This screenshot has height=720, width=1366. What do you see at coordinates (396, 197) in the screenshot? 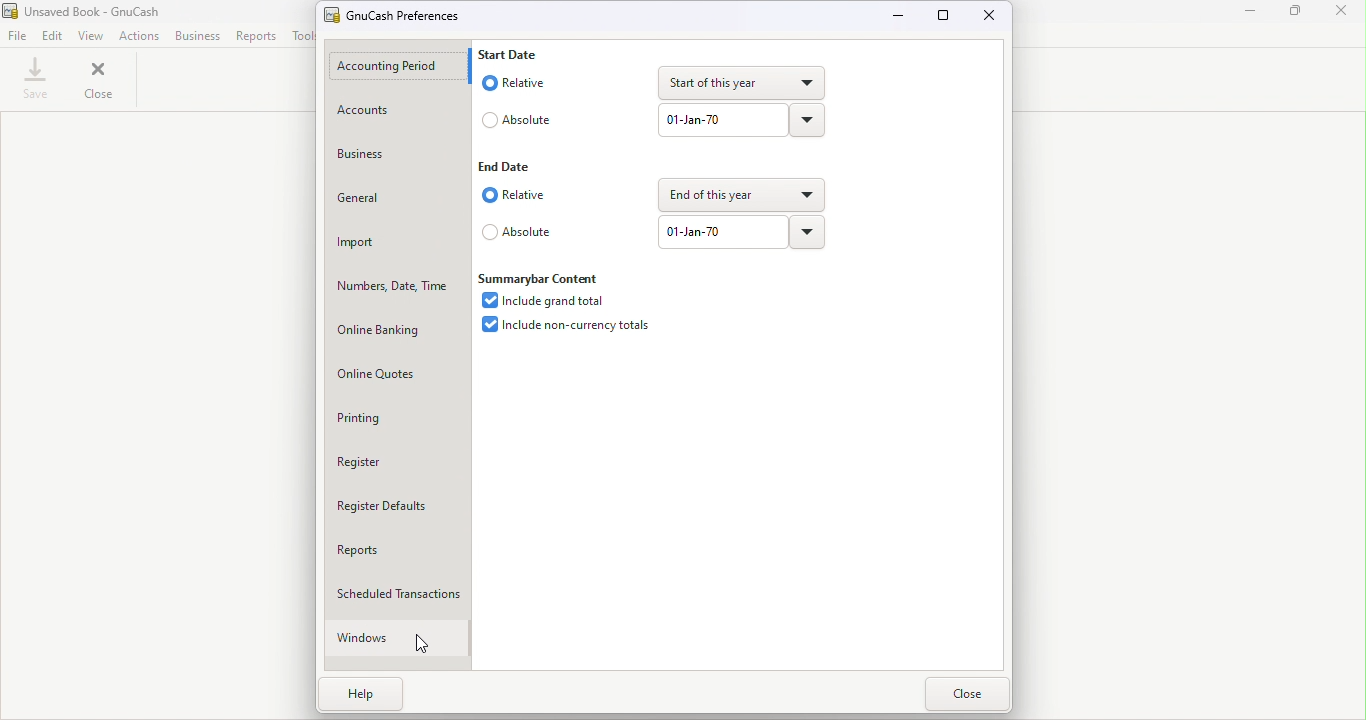
I see `General` at bounding box center [396, 197].